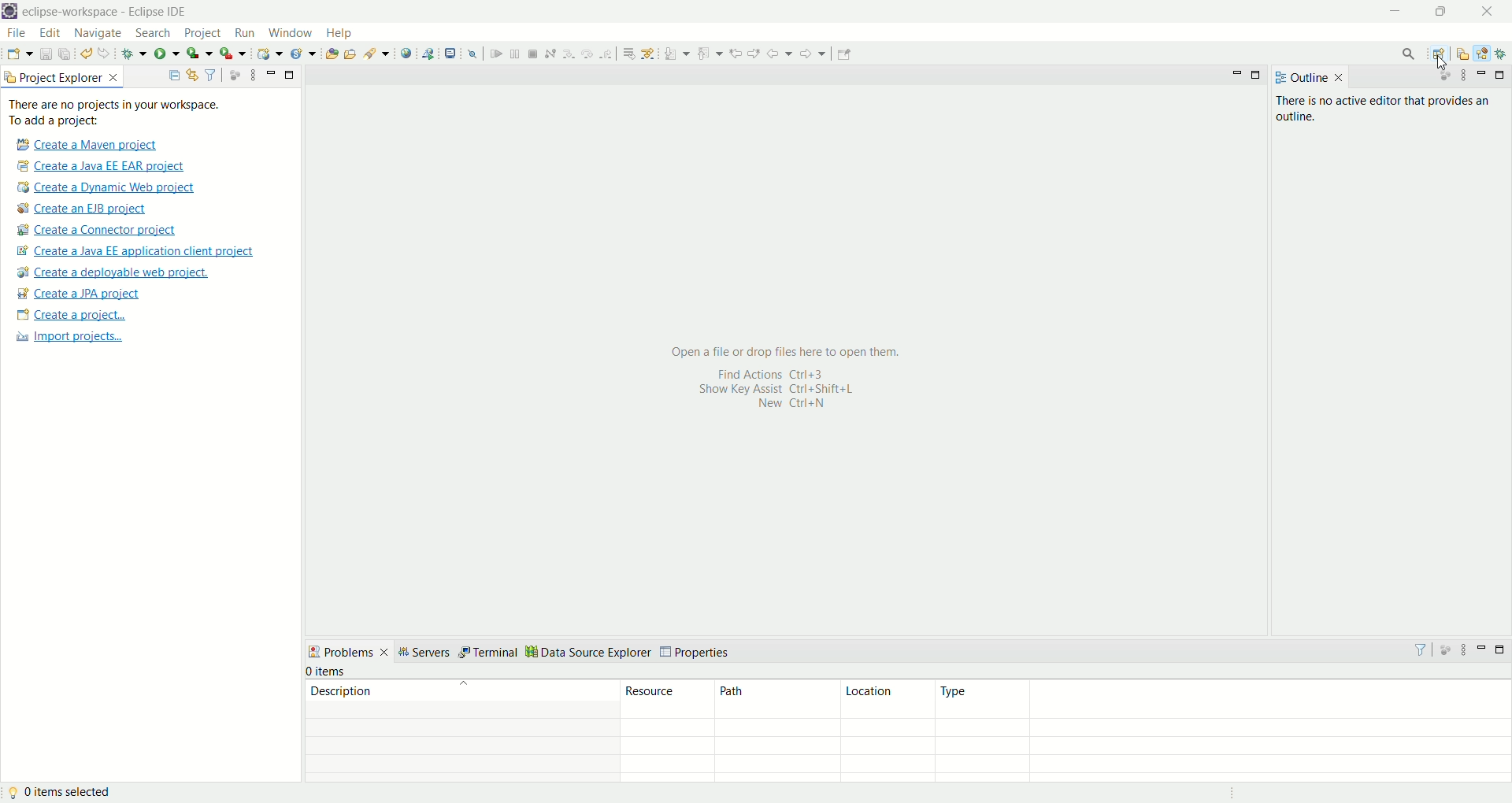 The image size is (1512, 803). Describe the element at coordinates (1445, 649) in the screenshot. I see `focus on active task` at that location.